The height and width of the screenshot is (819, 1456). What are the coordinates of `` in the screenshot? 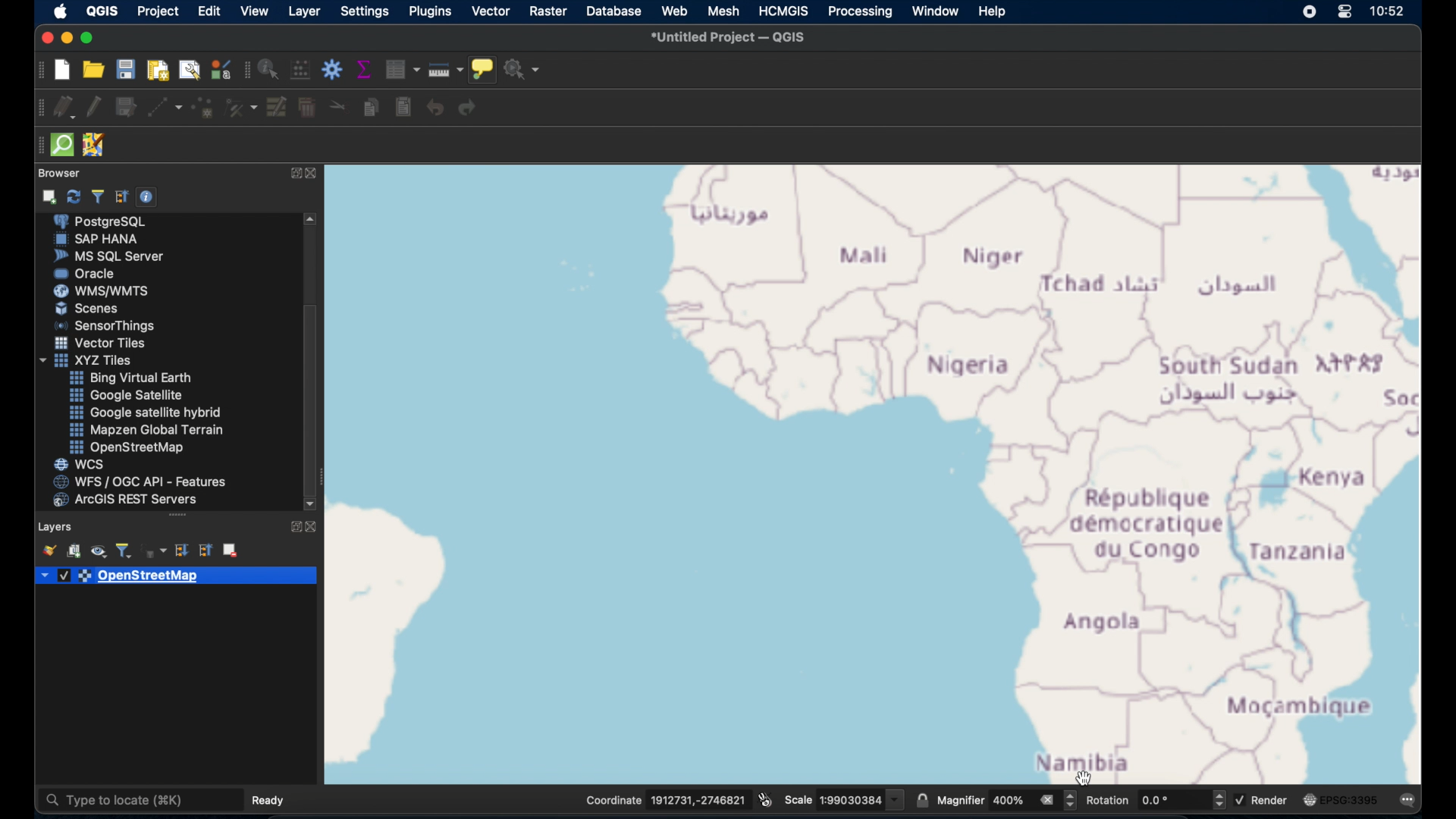 It's located at (94, 310).